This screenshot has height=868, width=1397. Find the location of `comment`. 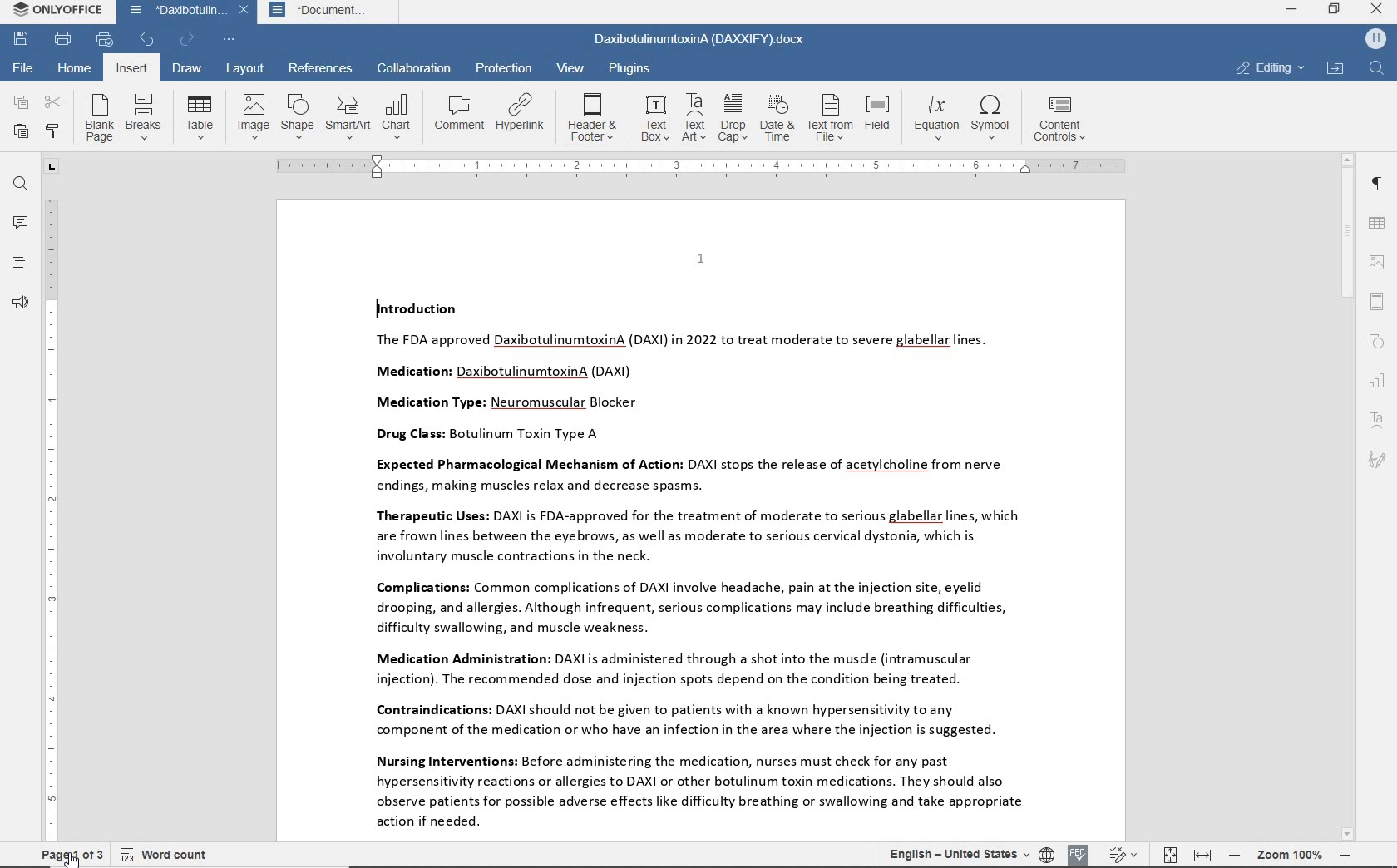

comment is located at coordinates (460, 111).